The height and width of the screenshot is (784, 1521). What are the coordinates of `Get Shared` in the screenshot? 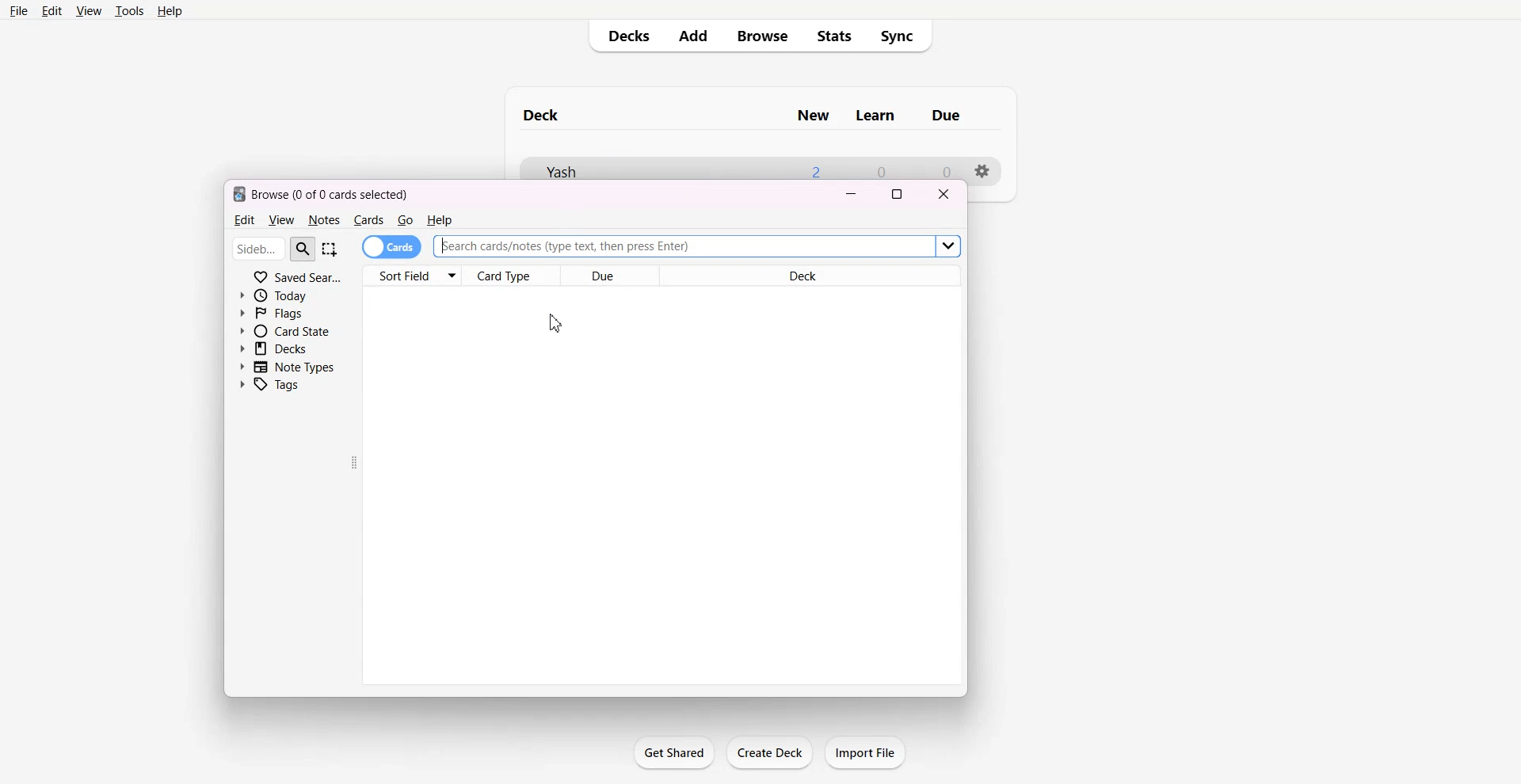 It's located at (673, 752).